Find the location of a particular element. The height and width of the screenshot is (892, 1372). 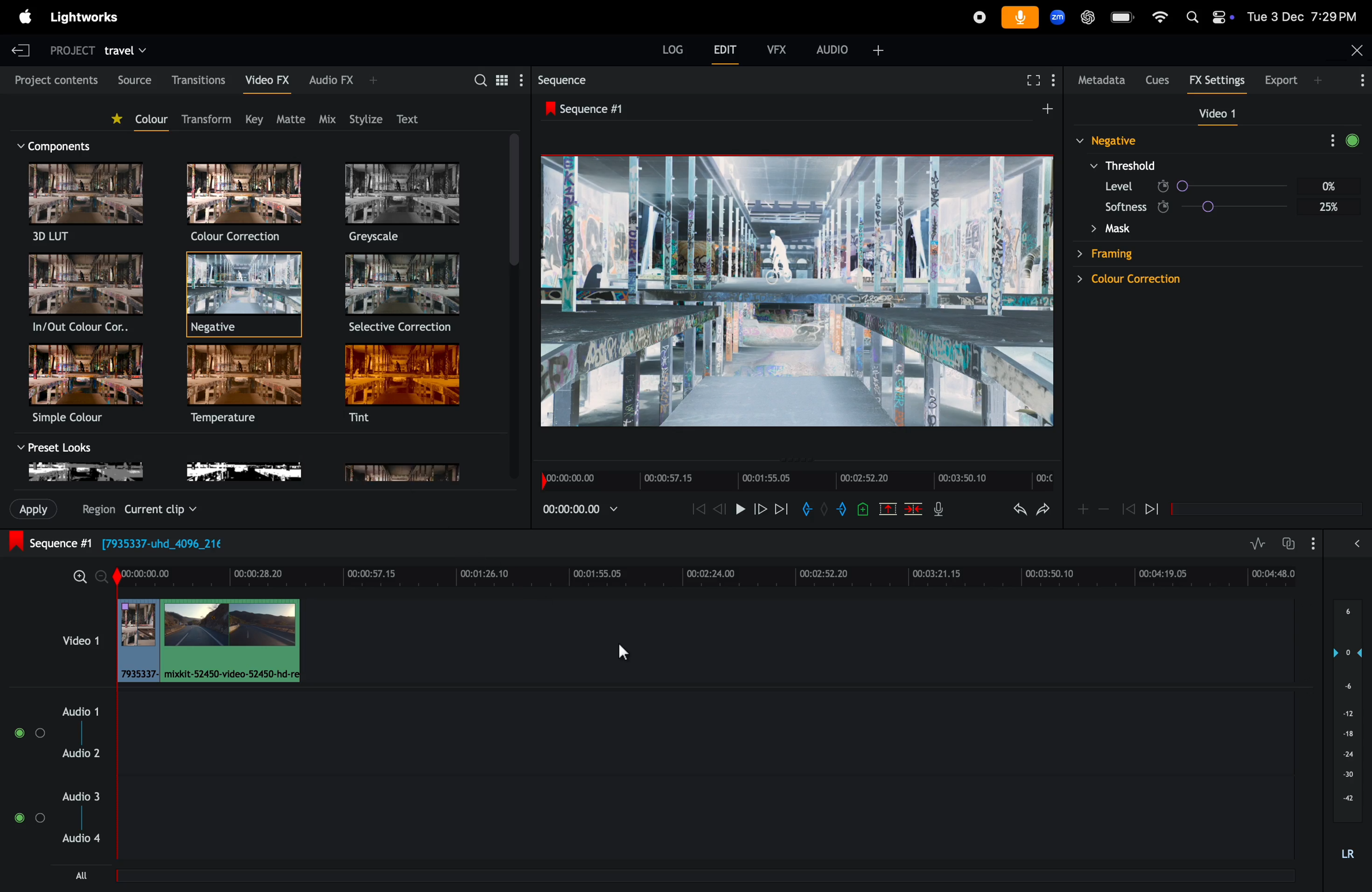

full screen is located at coordinates (1034, 80).